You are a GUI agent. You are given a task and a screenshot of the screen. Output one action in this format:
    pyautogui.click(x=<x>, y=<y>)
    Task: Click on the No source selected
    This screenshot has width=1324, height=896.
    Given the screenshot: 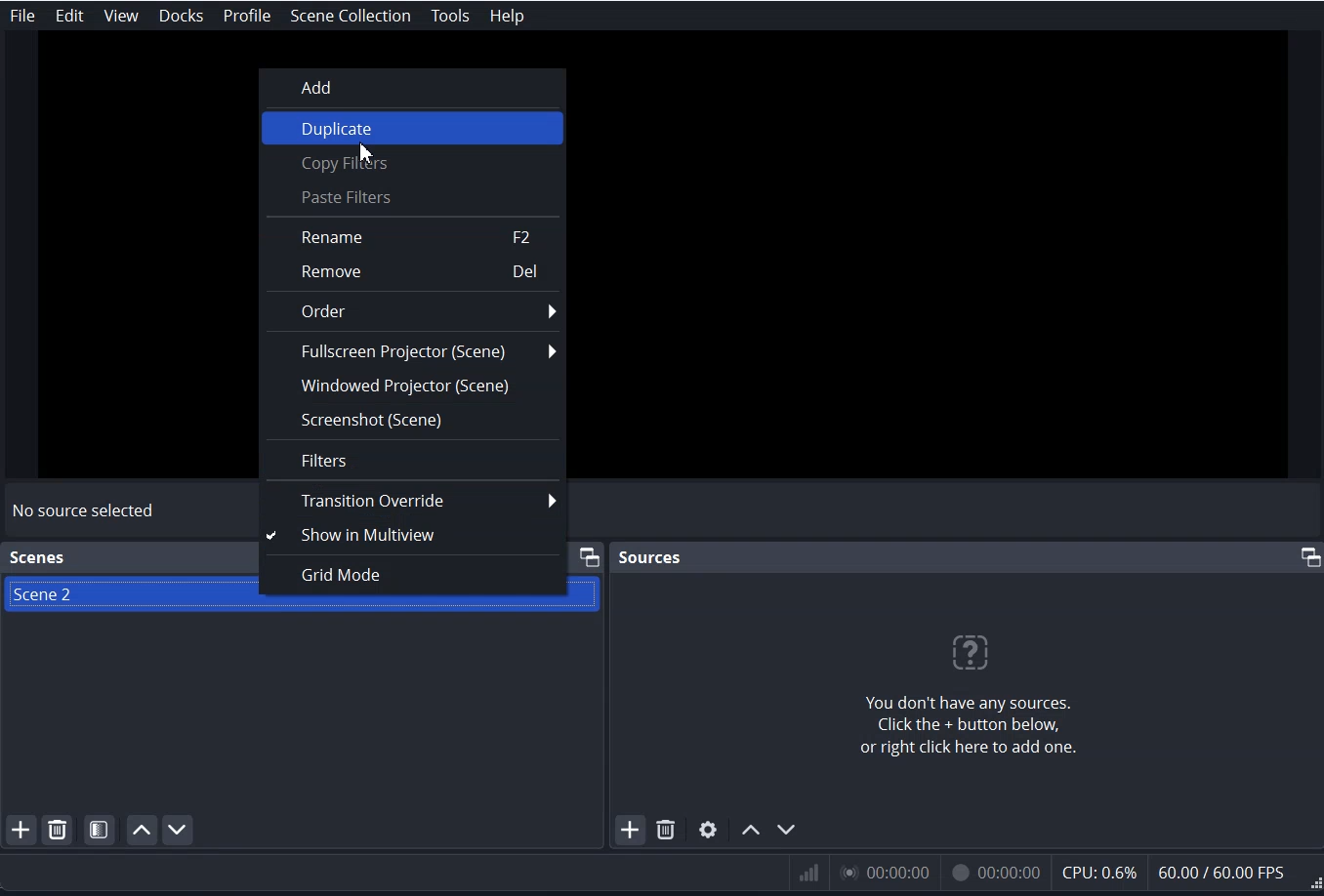 What is the action you would take?
    pyautogui.click(x=84, y=511)
    